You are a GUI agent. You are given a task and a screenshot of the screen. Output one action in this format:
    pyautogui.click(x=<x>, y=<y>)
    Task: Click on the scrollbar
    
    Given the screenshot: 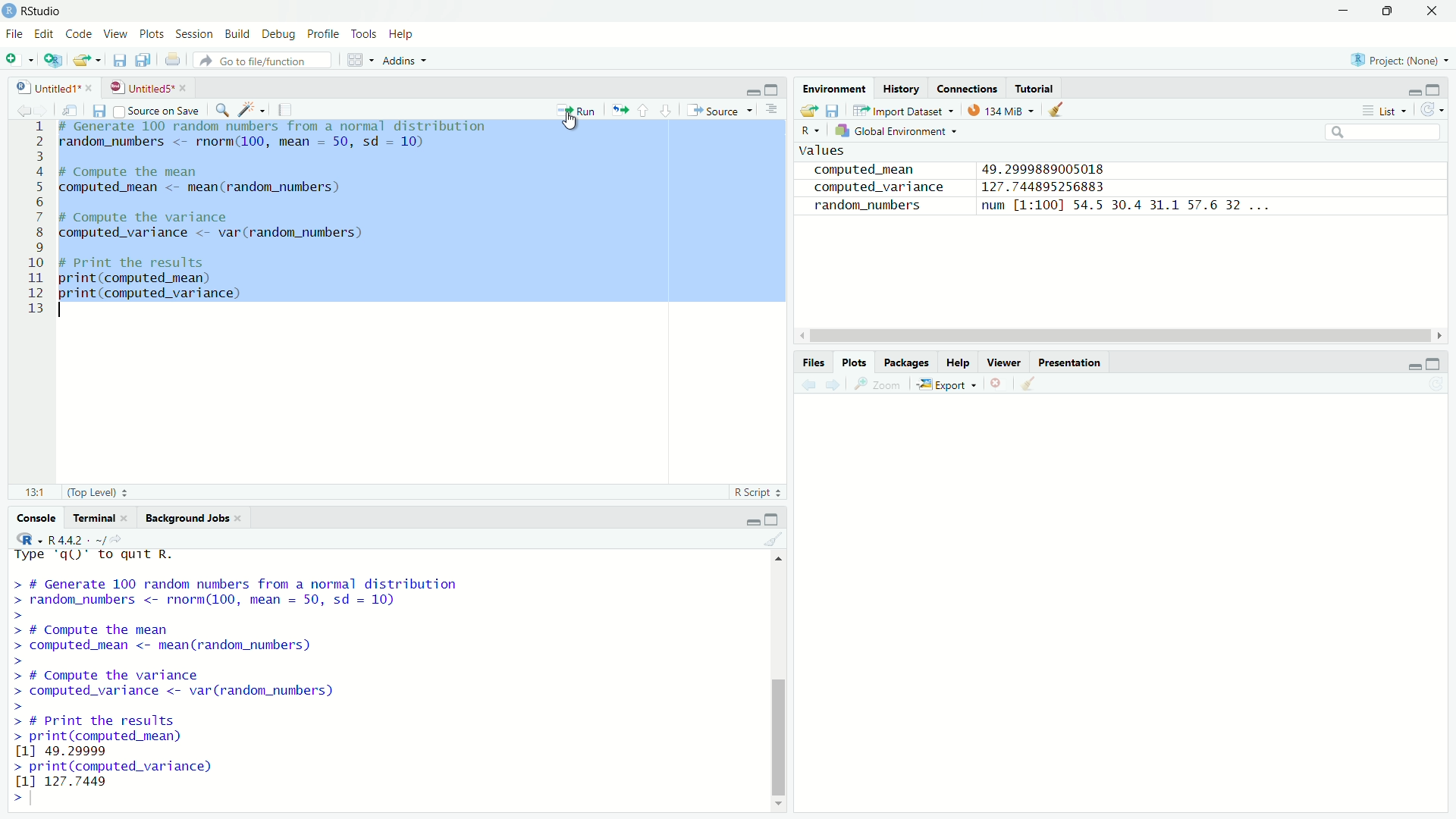 What is the action you would take?
    pyautogui.click(x=1118, y=337)
    